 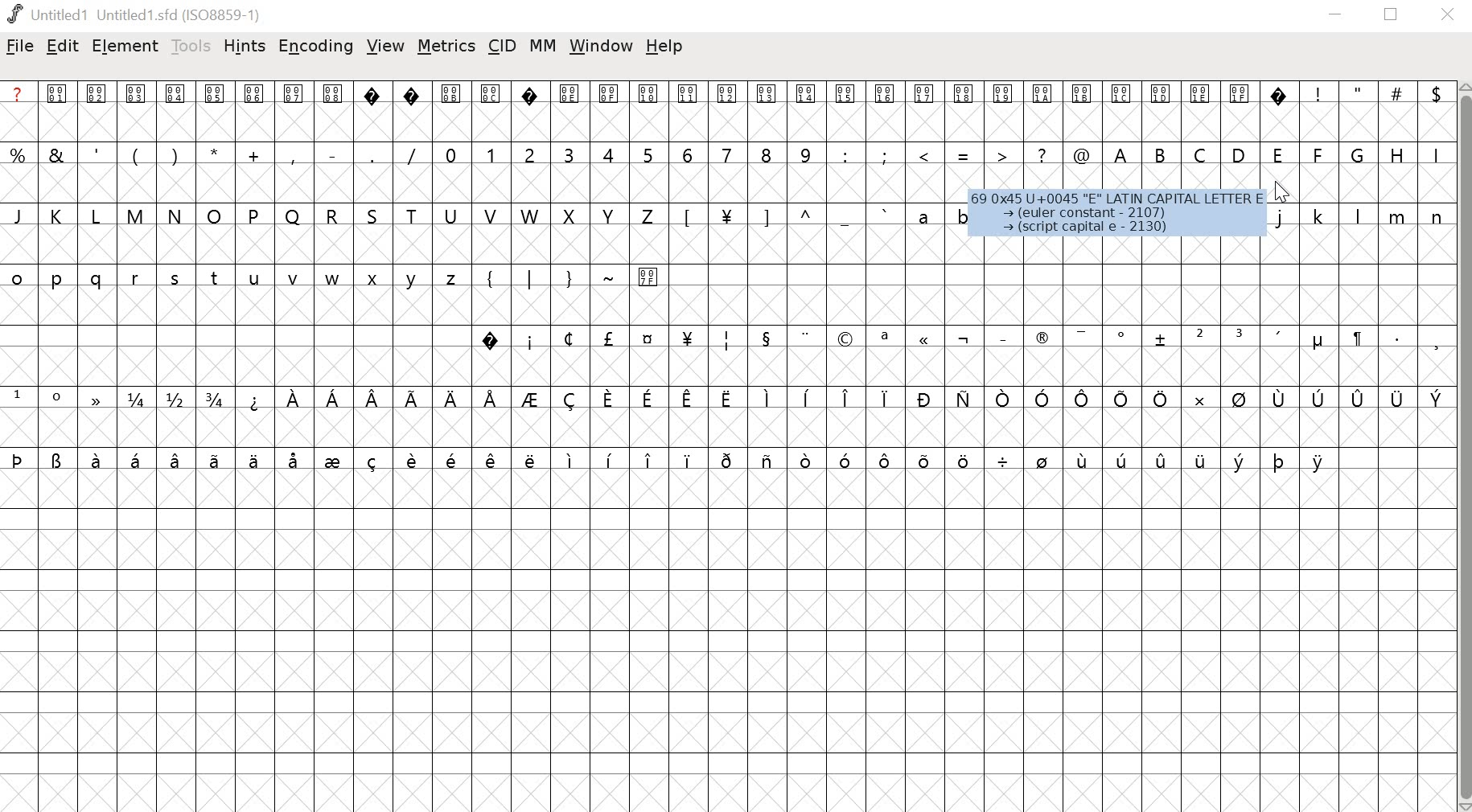 What do you see at coordinates (724, 428) in the screenshot?
I see `empty cells` at bounding box center [724, 428].